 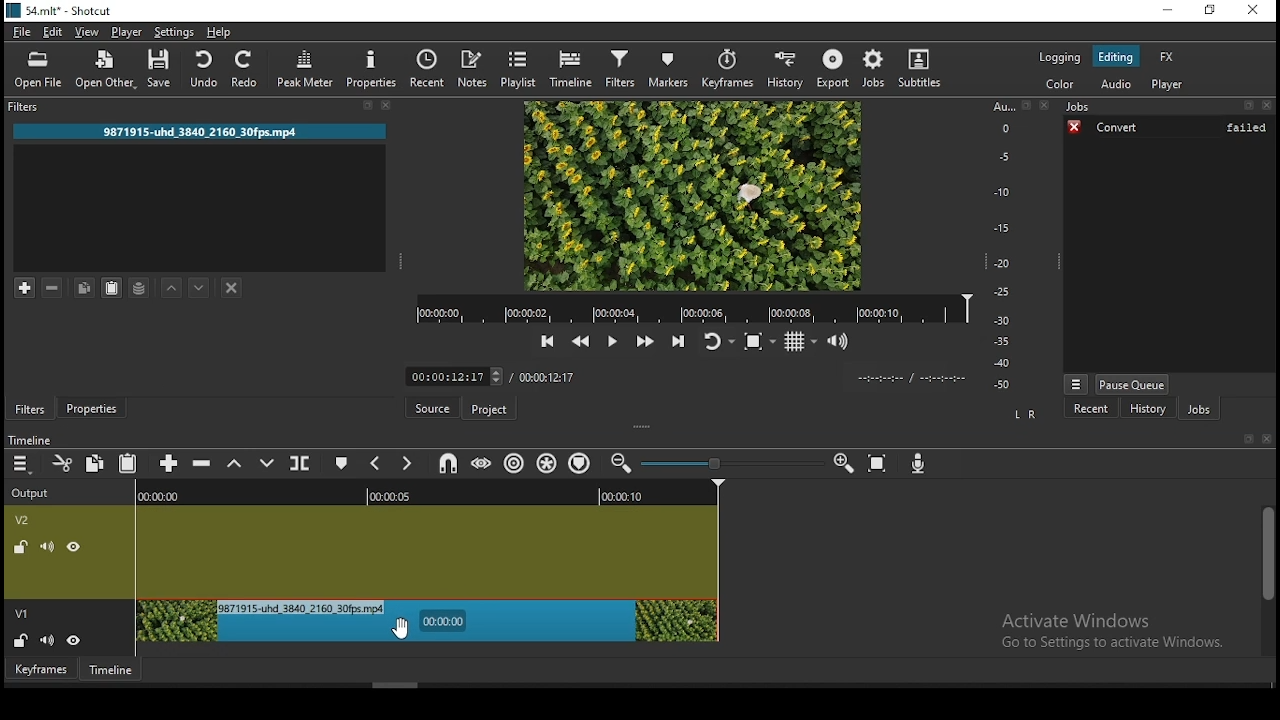 What do you see at coordinates (490, 410) in the screenshot?
I see `project` at bounding box center [490, 410].